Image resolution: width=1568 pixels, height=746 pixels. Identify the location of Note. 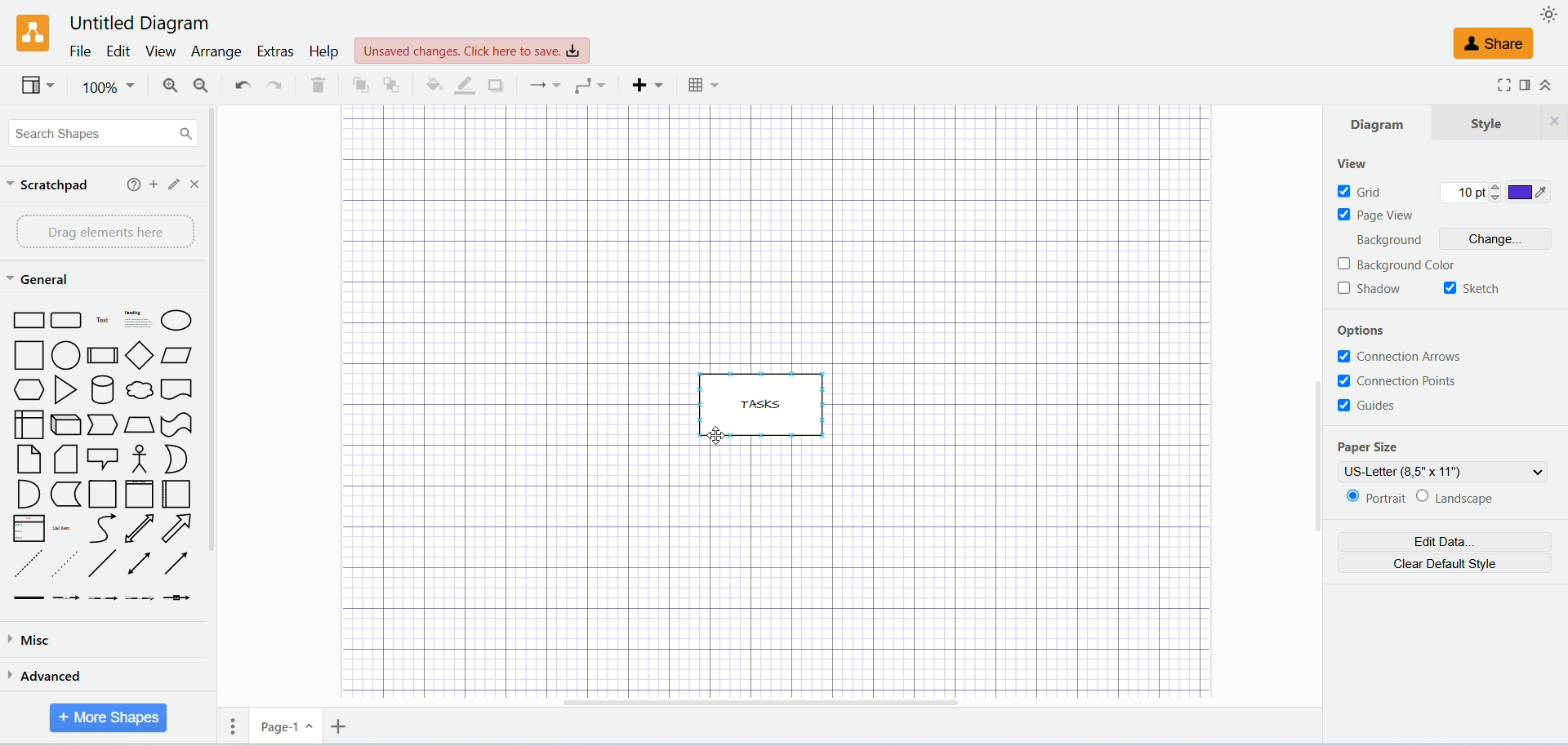
(28, 460).